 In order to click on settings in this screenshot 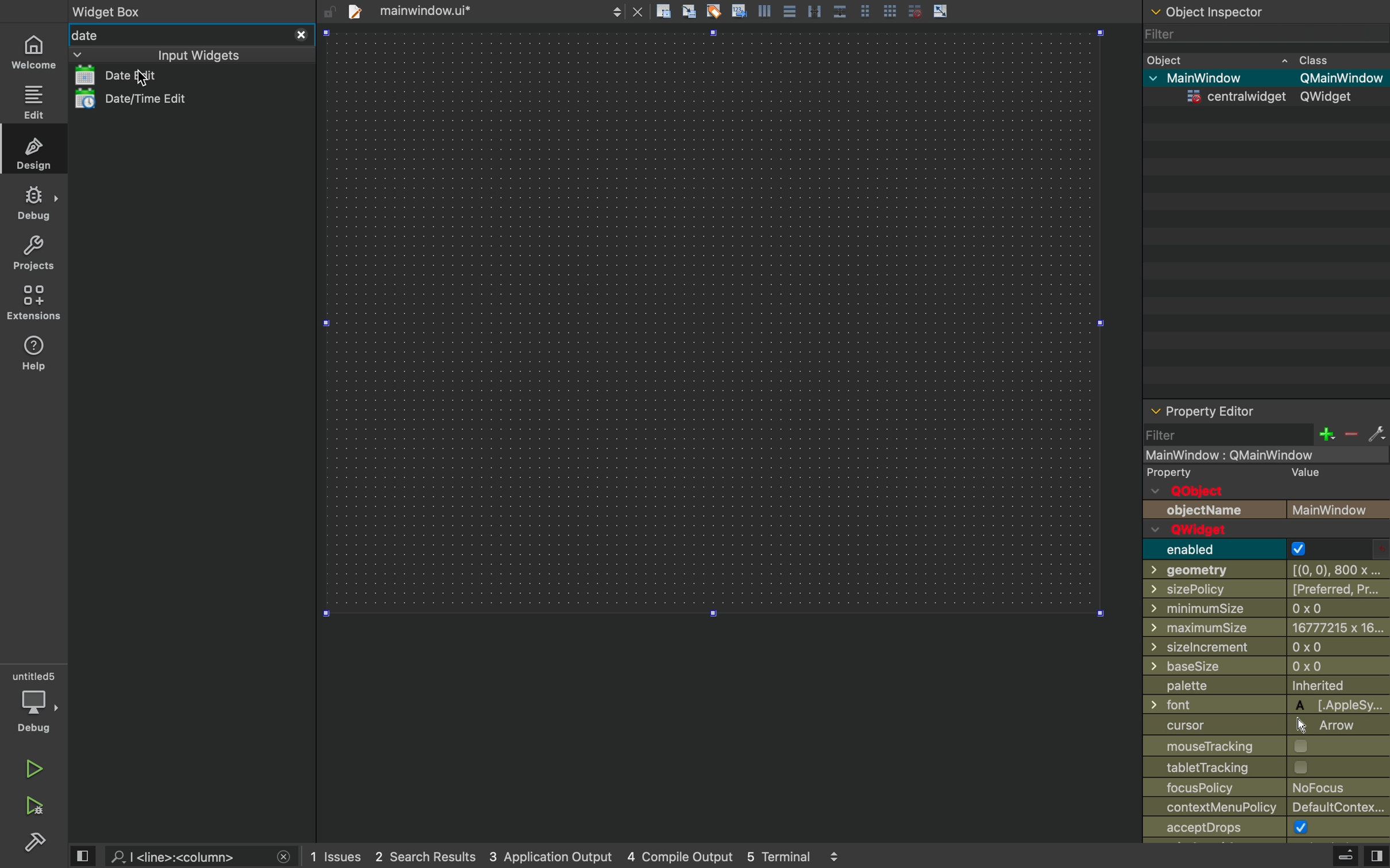, I will do `click(1376, 433)`.